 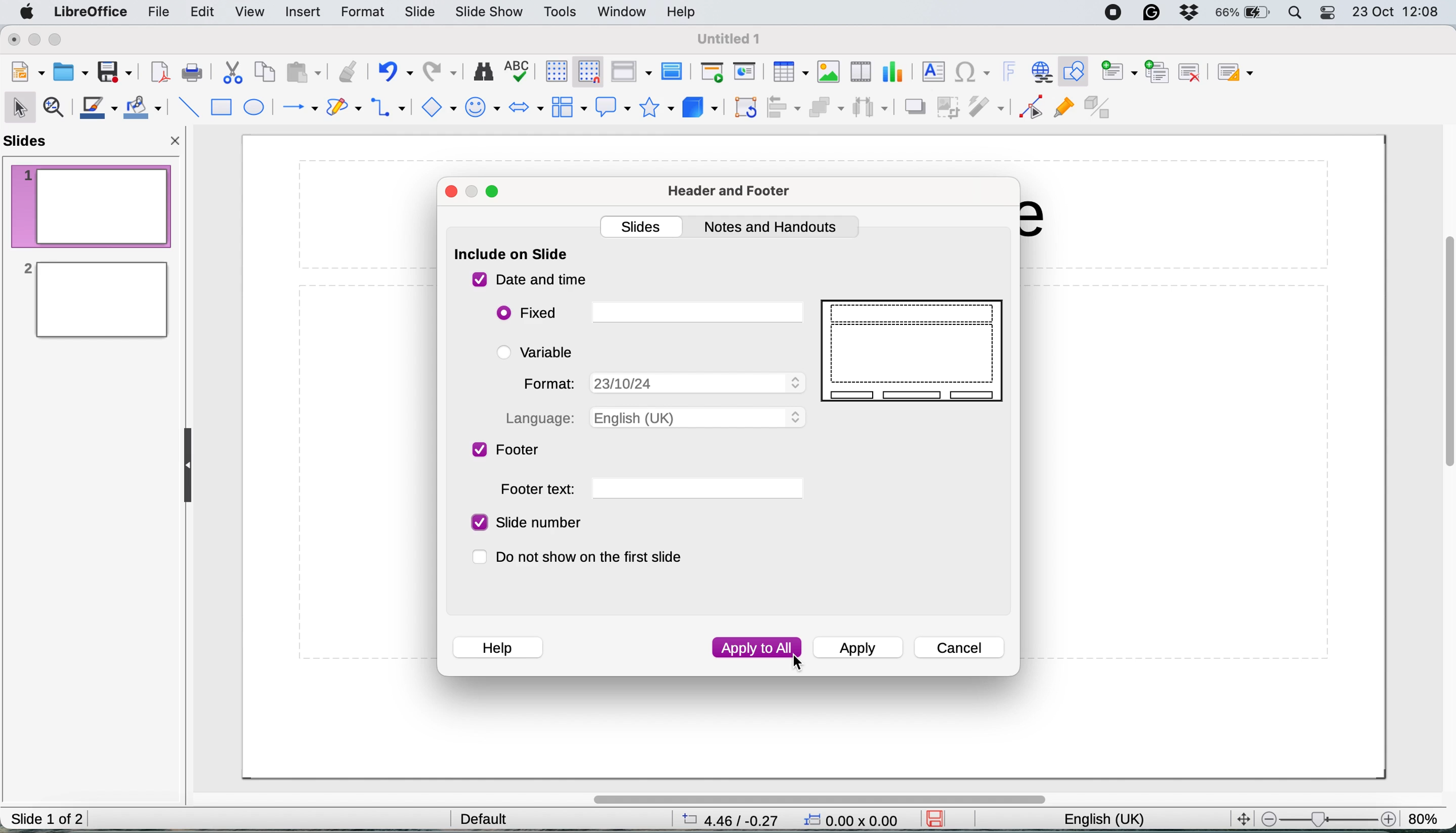 What do you see at coordinates (1190, 14) in the screenshot?
I see `dropbox` at bounding box center [1190, 14].